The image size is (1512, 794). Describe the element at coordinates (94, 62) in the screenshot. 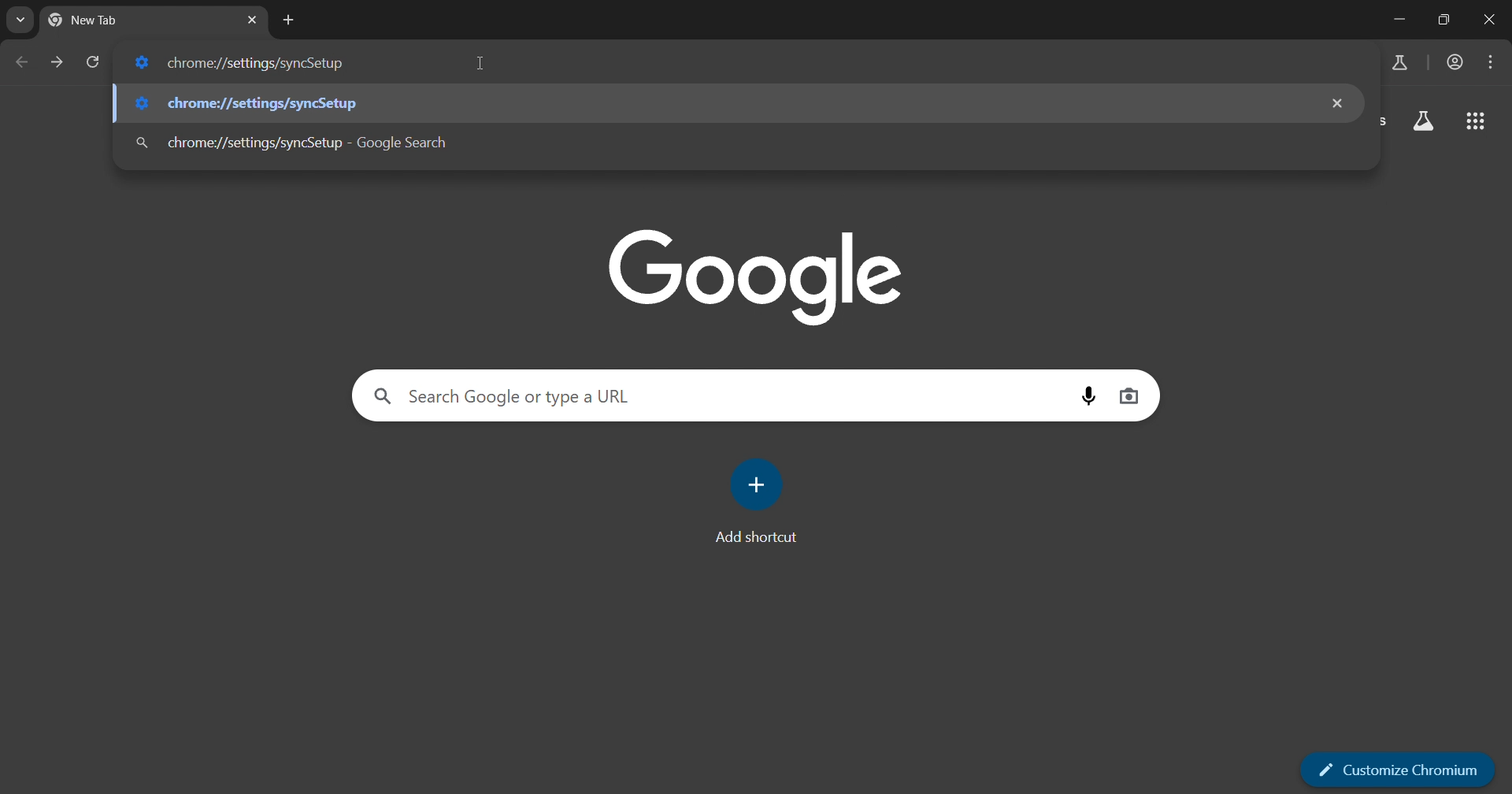

I see `reload page` at that location.